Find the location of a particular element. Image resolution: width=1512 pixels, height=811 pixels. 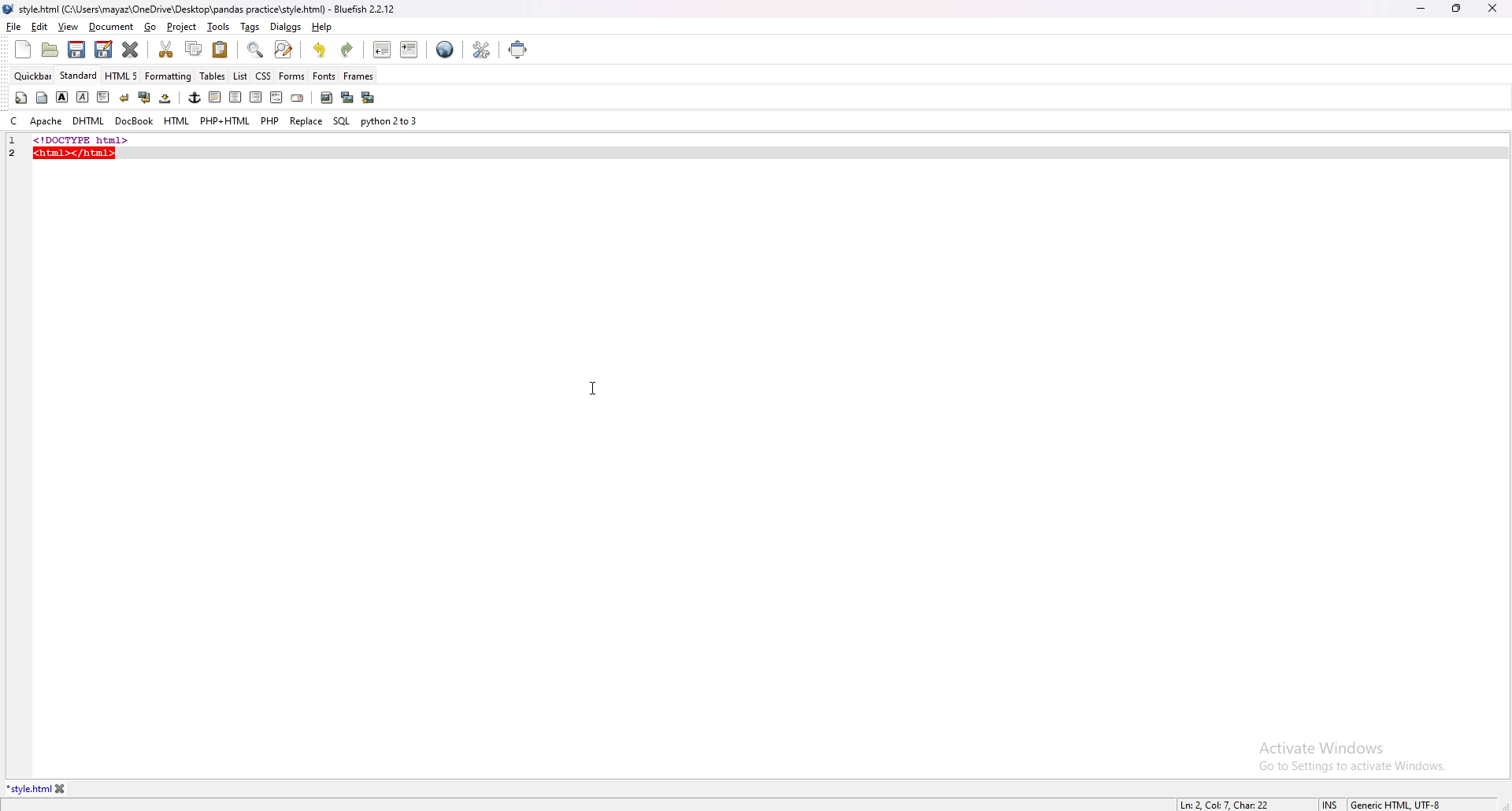

code is located at coordinates (128, 139).